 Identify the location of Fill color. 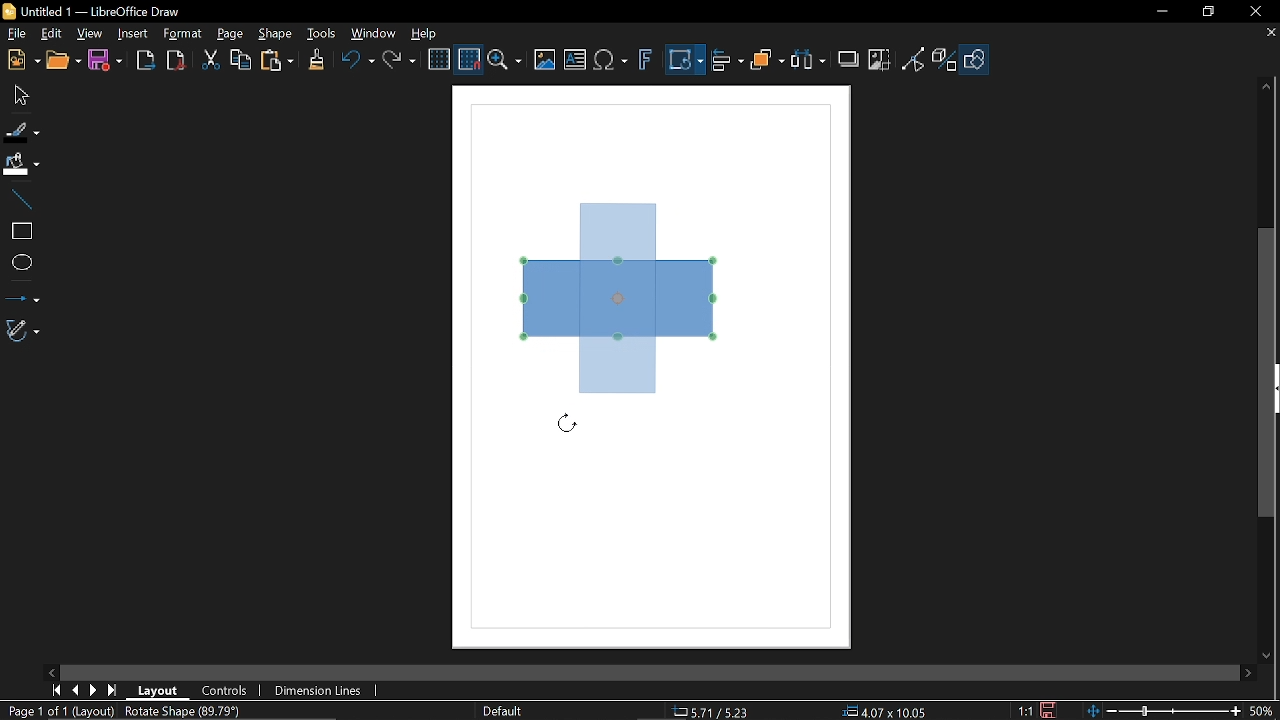
(20, 165).